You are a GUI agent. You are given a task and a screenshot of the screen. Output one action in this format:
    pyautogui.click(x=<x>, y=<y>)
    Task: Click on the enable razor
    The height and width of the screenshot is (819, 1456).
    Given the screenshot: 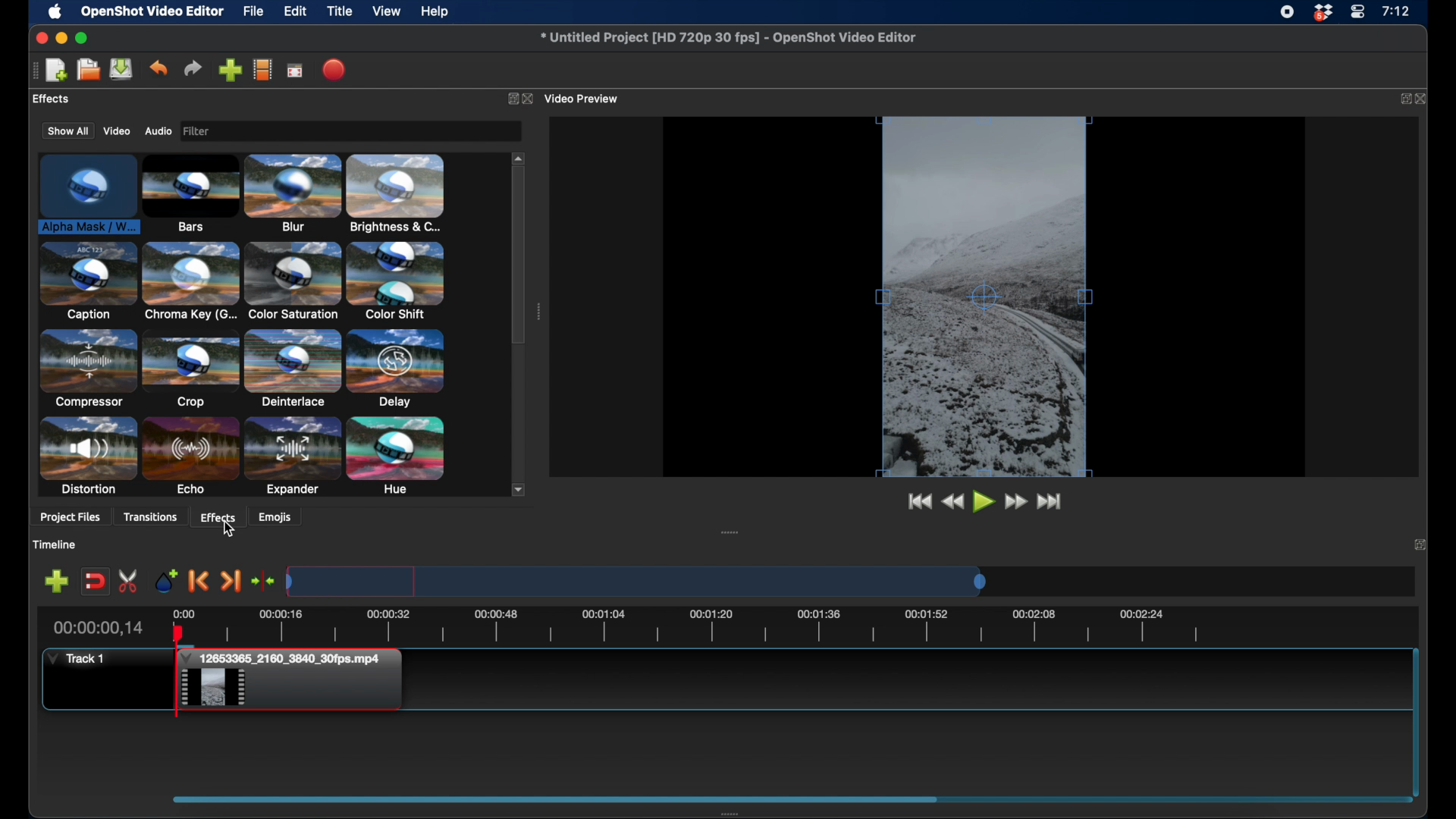 What is the action you would take?
    pyautogui.click(x=129, y=580)
    